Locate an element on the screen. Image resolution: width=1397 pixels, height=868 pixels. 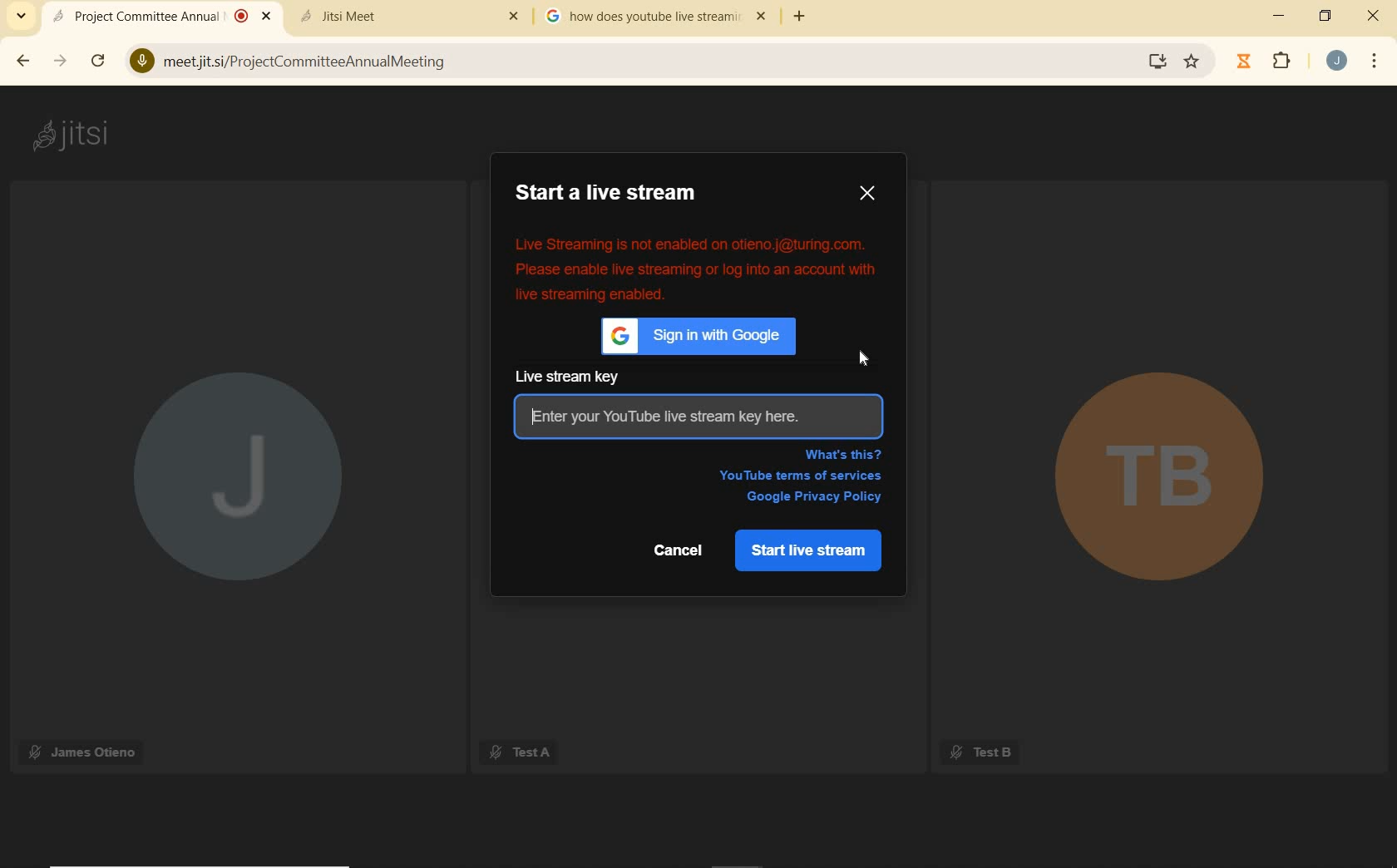
restore down is located at coordinates (1327, 17).